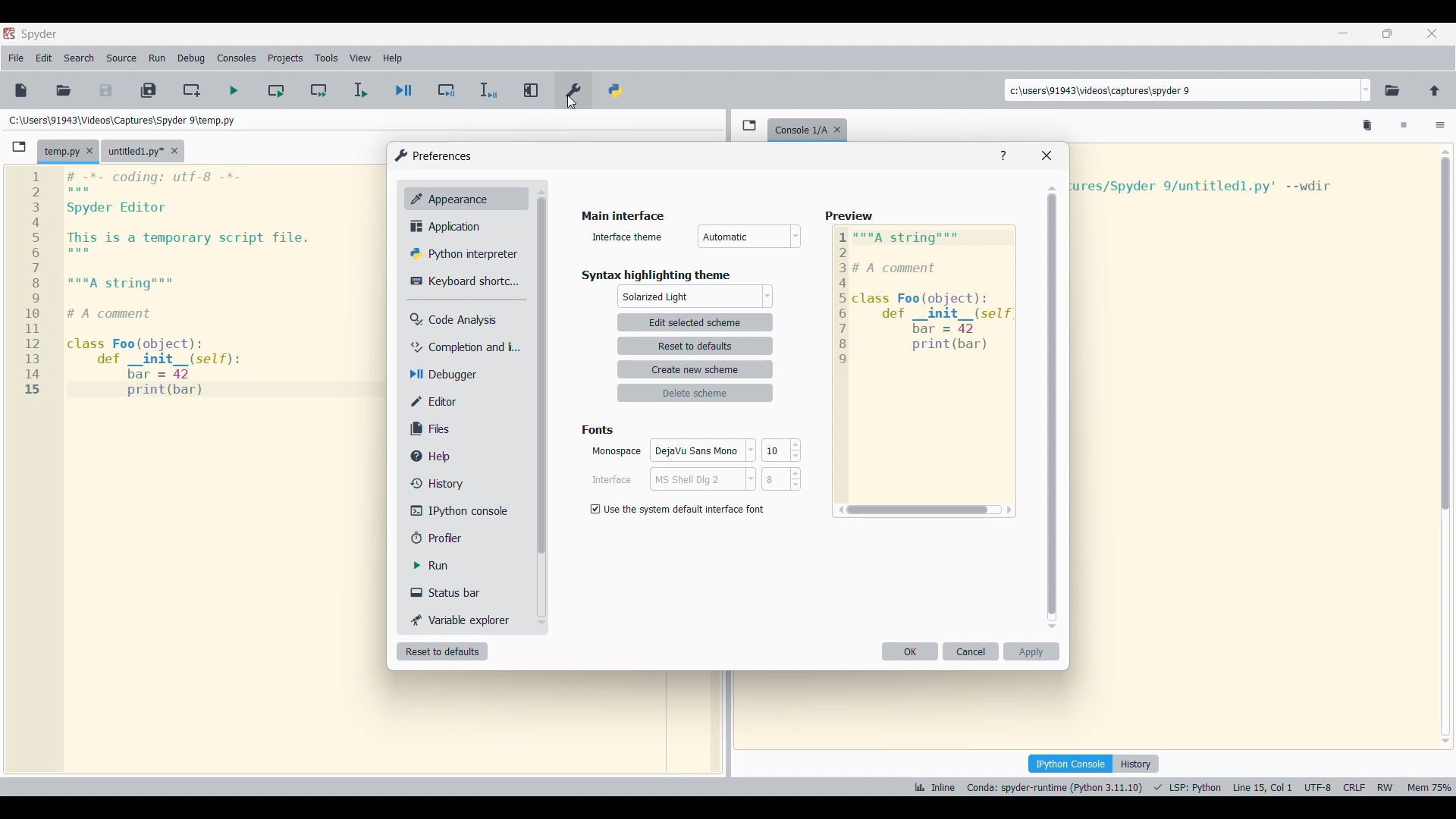 The image size is (1456, 819). I want to click on Browse tab, so click(19, 147).